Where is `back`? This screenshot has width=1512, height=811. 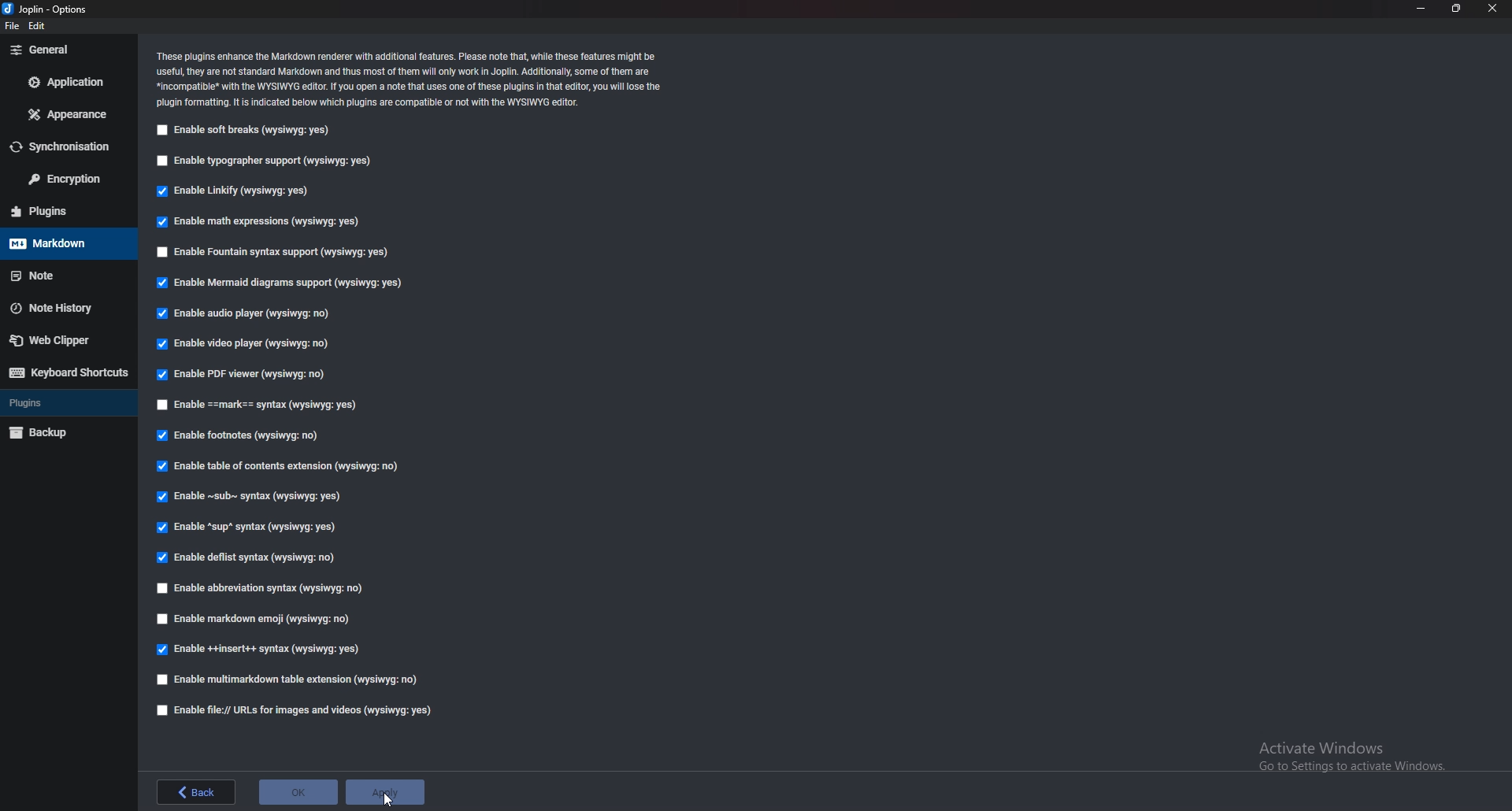
back is located at coordinates (196, 791).